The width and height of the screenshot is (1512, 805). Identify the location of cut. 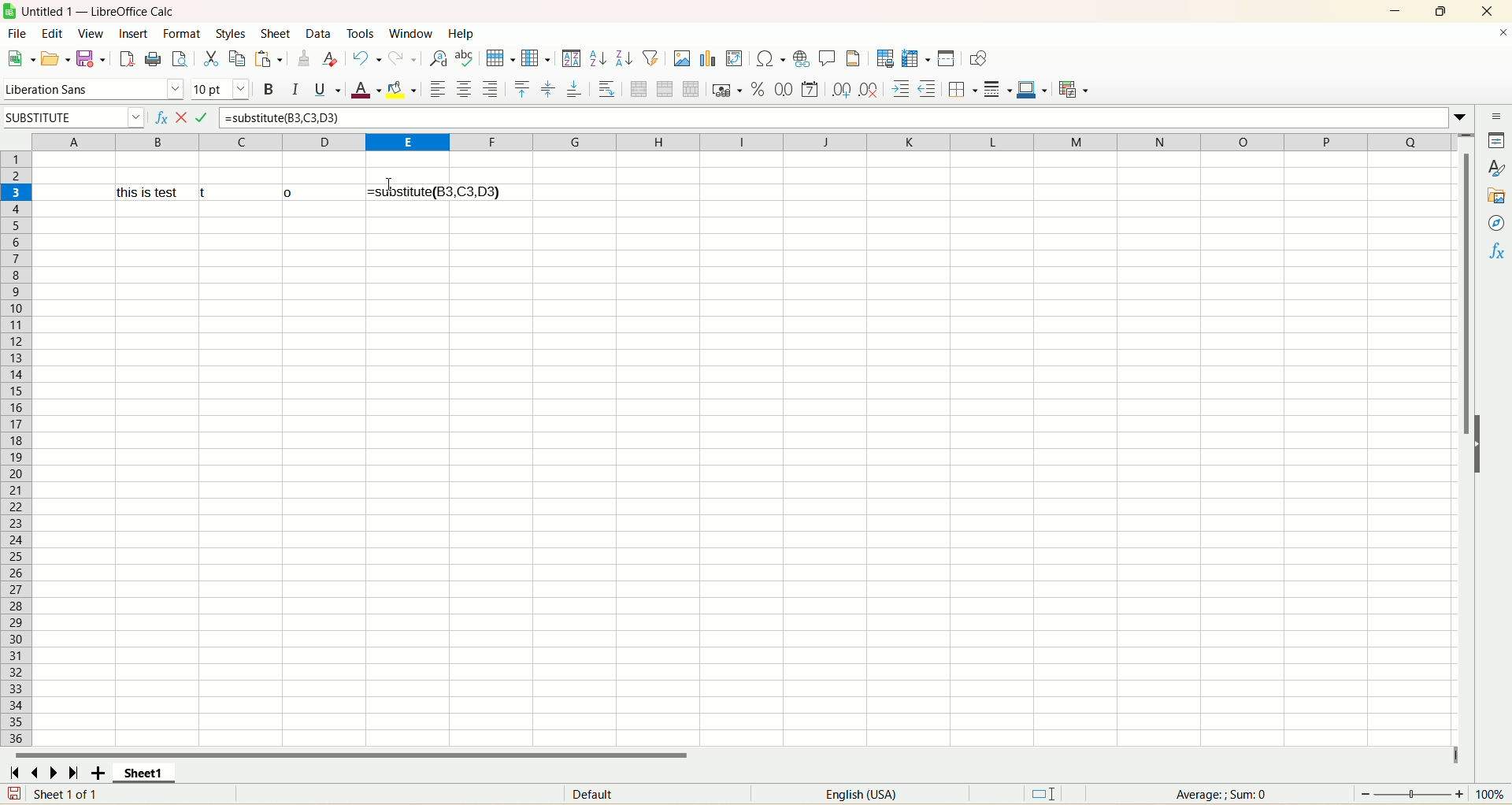
(210, 60).